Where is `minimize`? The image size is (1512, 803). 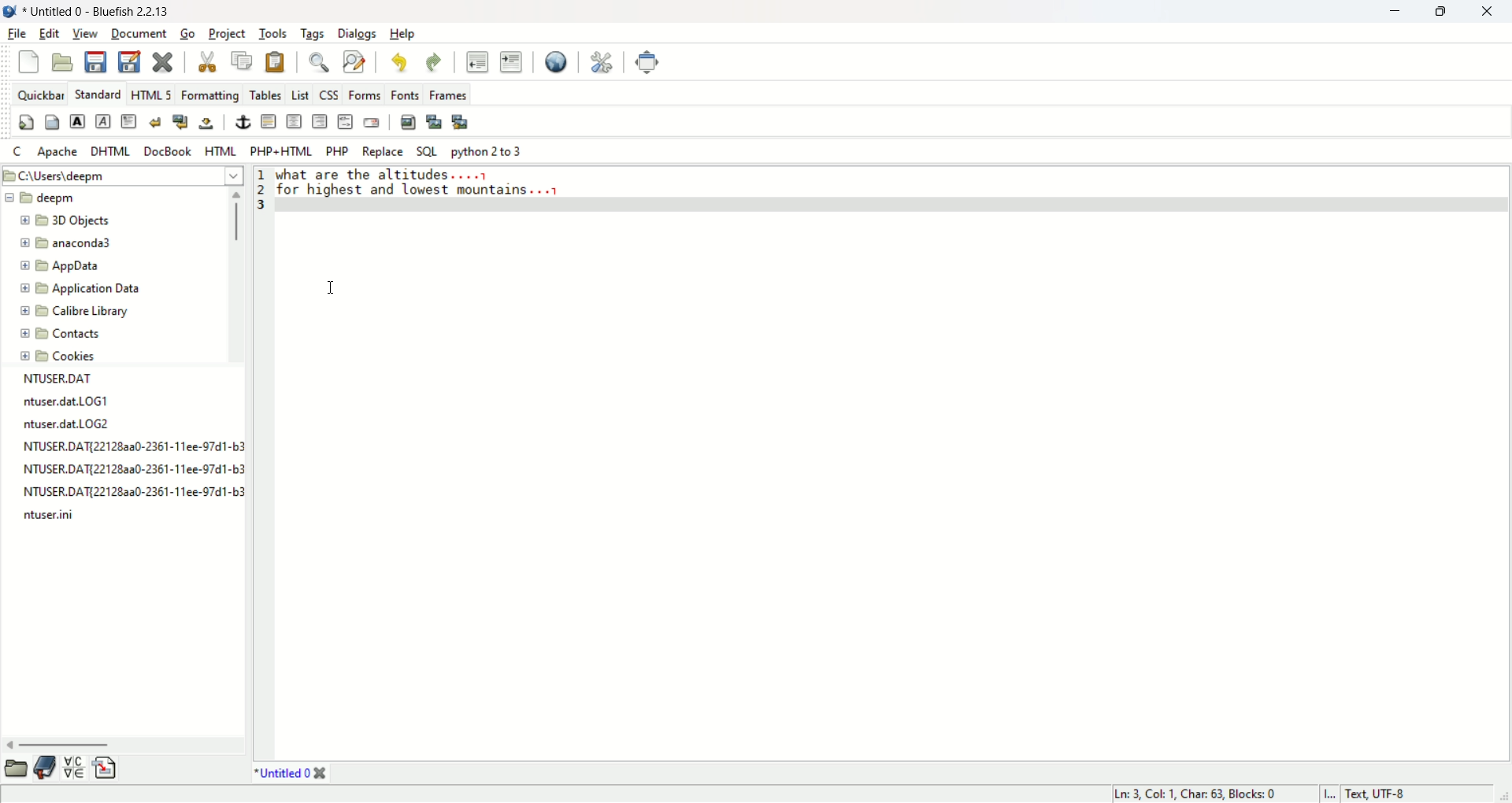 minimize is located at coordinates (1393, 13).